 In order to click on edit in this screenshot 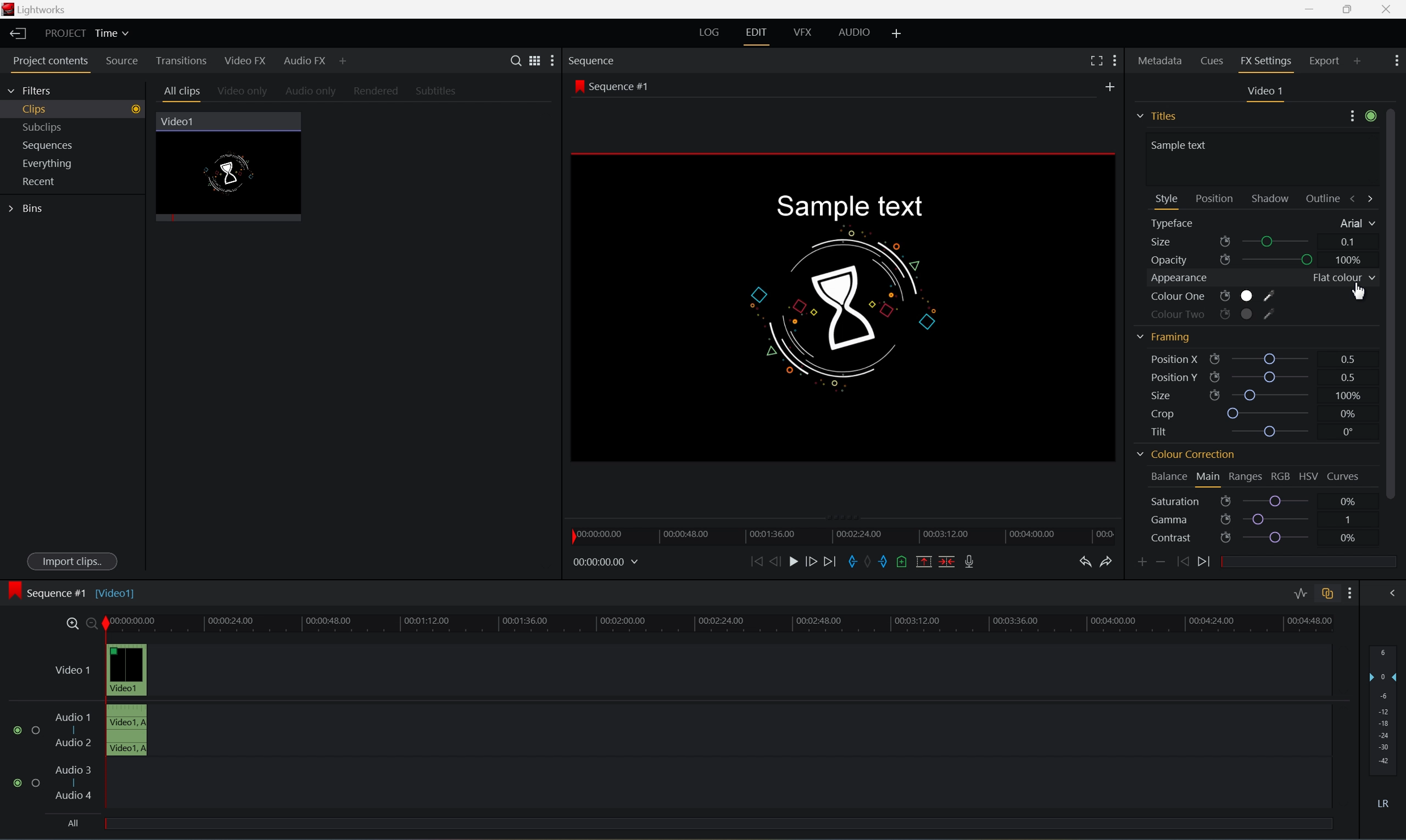, I will do `click(756, 32)`.